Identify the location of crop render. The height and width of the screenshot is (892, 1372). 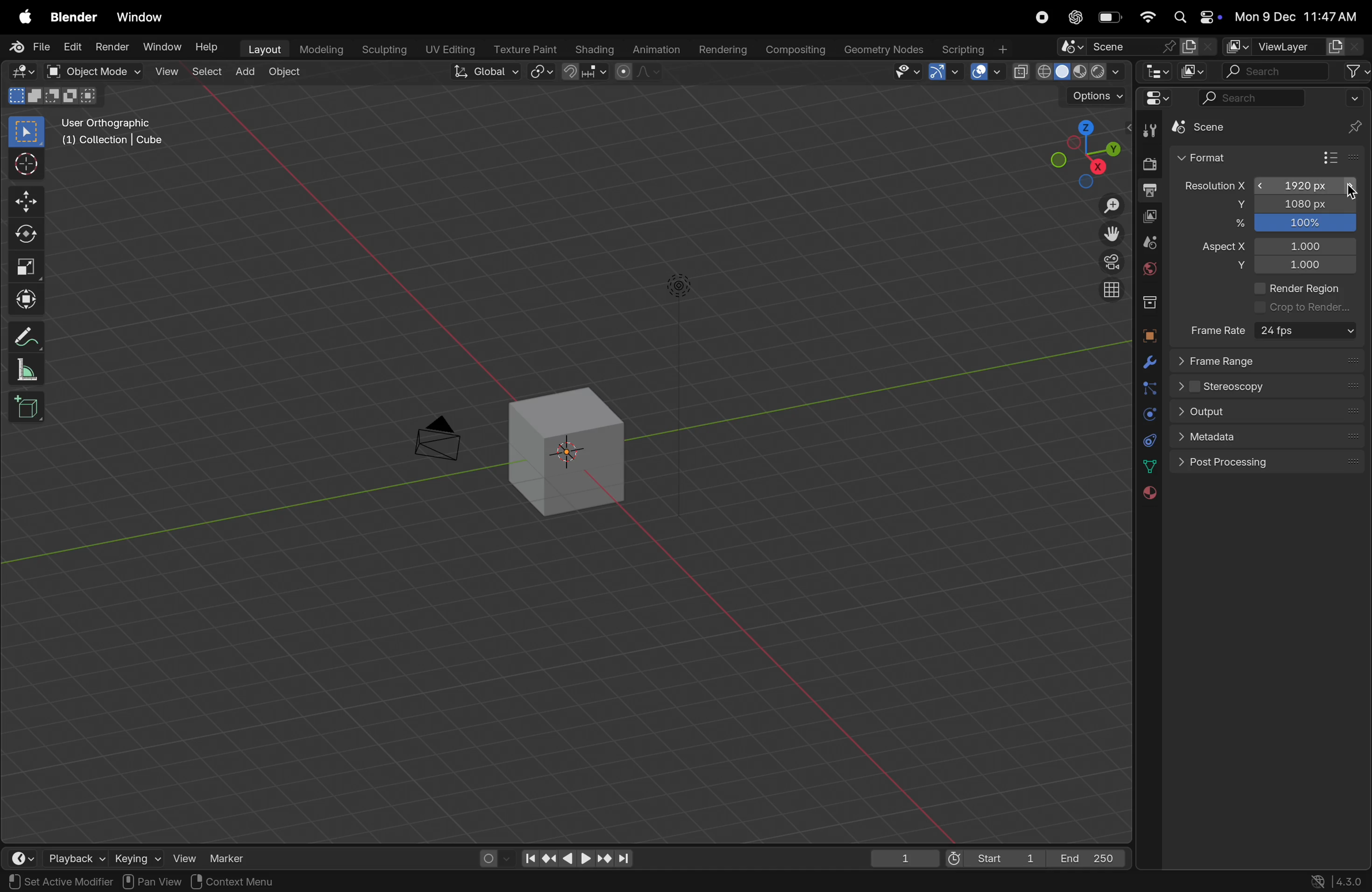
(1303, 308).